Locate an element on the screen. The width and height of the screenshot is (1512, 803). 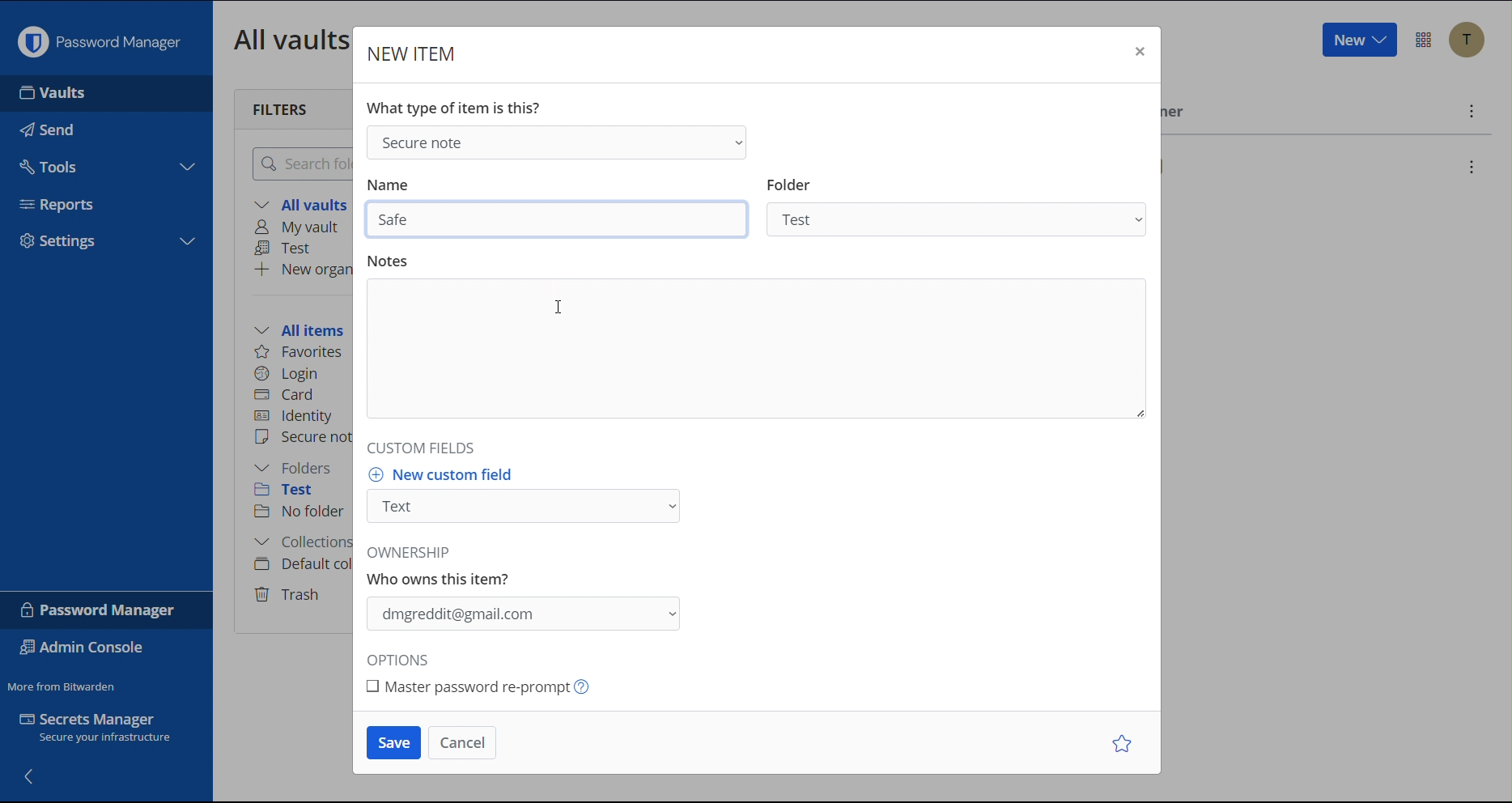
Cancel is located at coordinates (462, 742).